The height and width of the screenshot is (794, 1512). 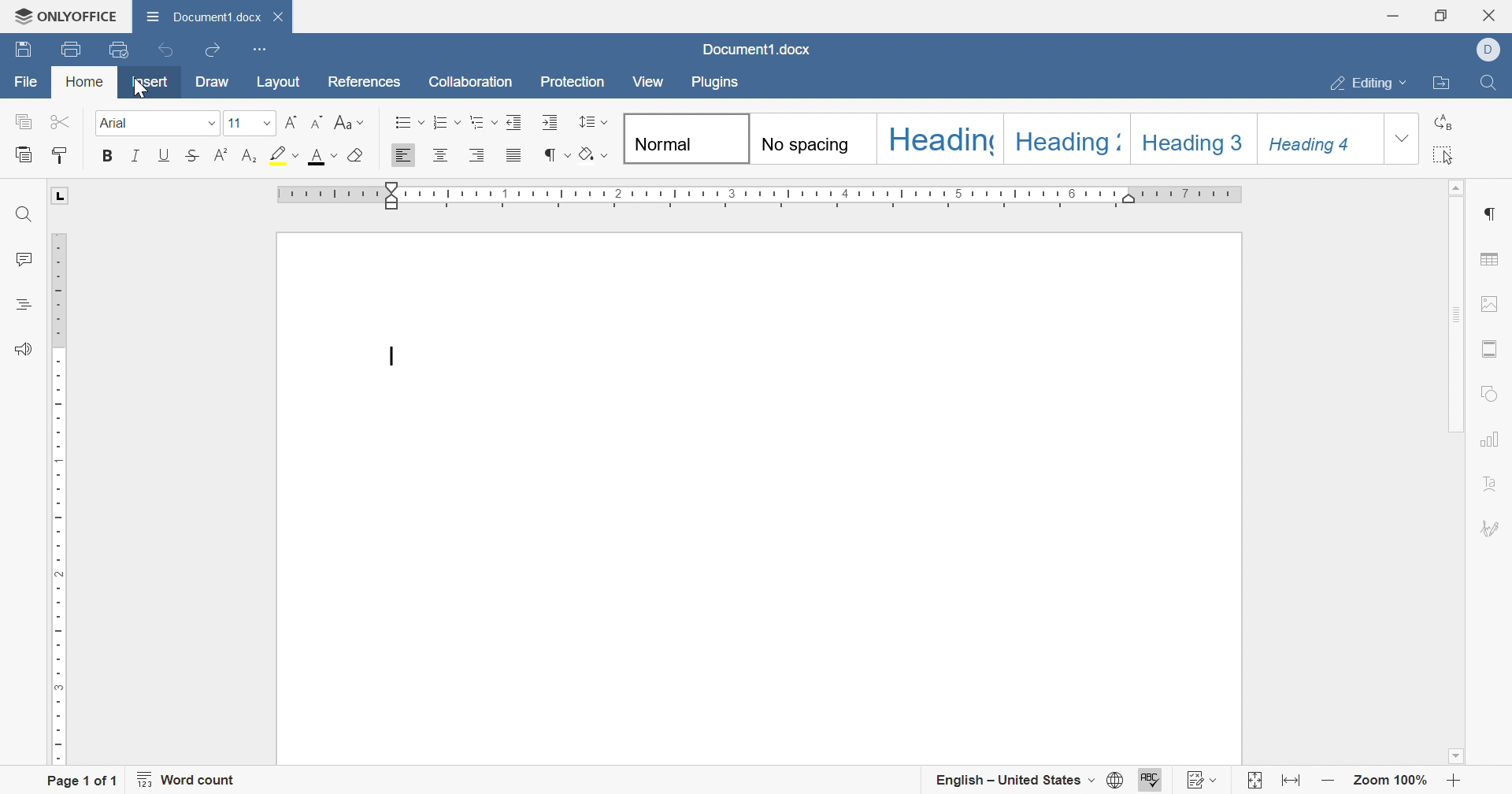 I want to click on Typing Cursor, so click(x=391, y=355).